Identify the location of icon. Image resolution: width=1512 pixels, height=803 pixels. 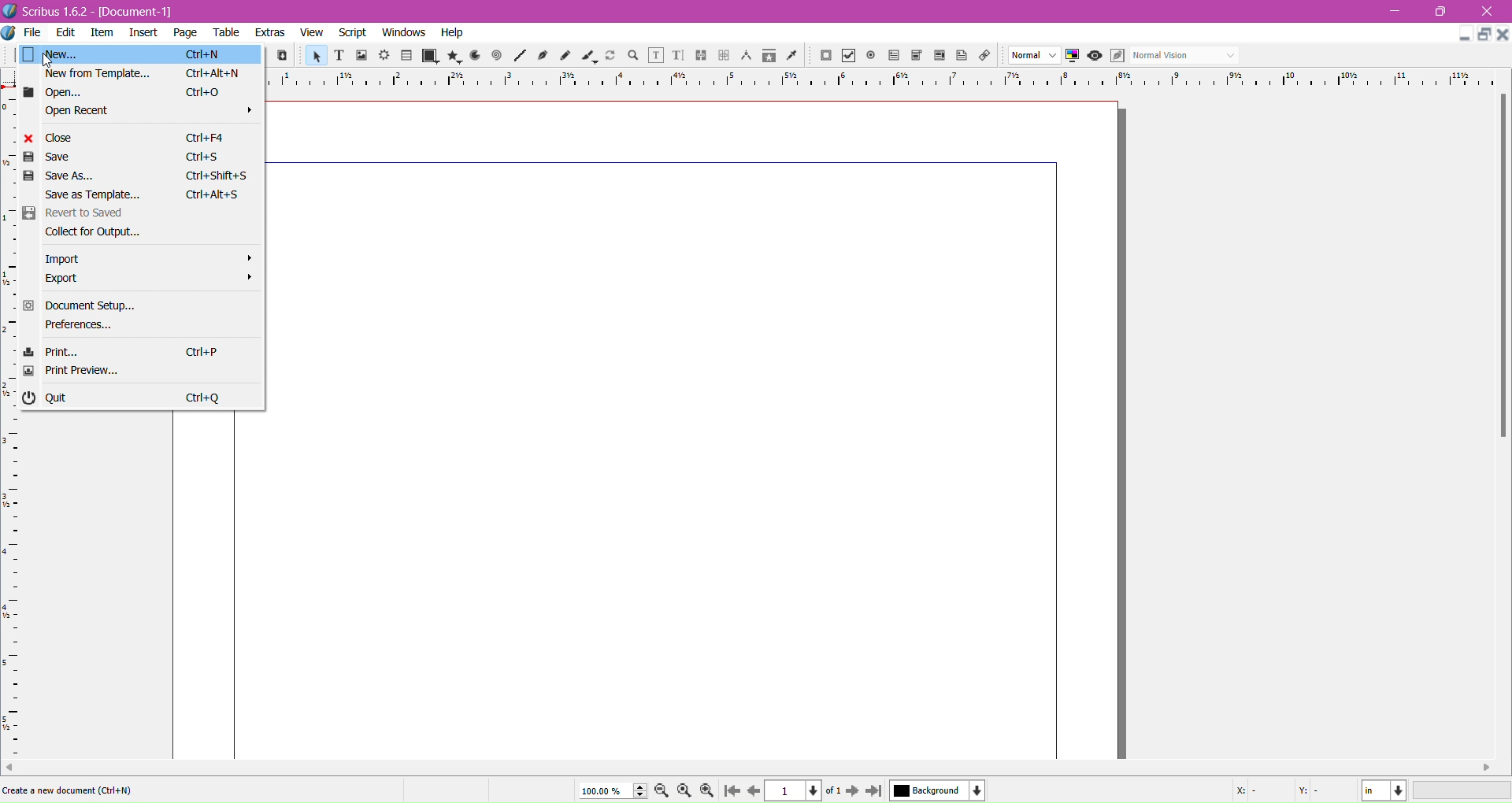
(697, 57).